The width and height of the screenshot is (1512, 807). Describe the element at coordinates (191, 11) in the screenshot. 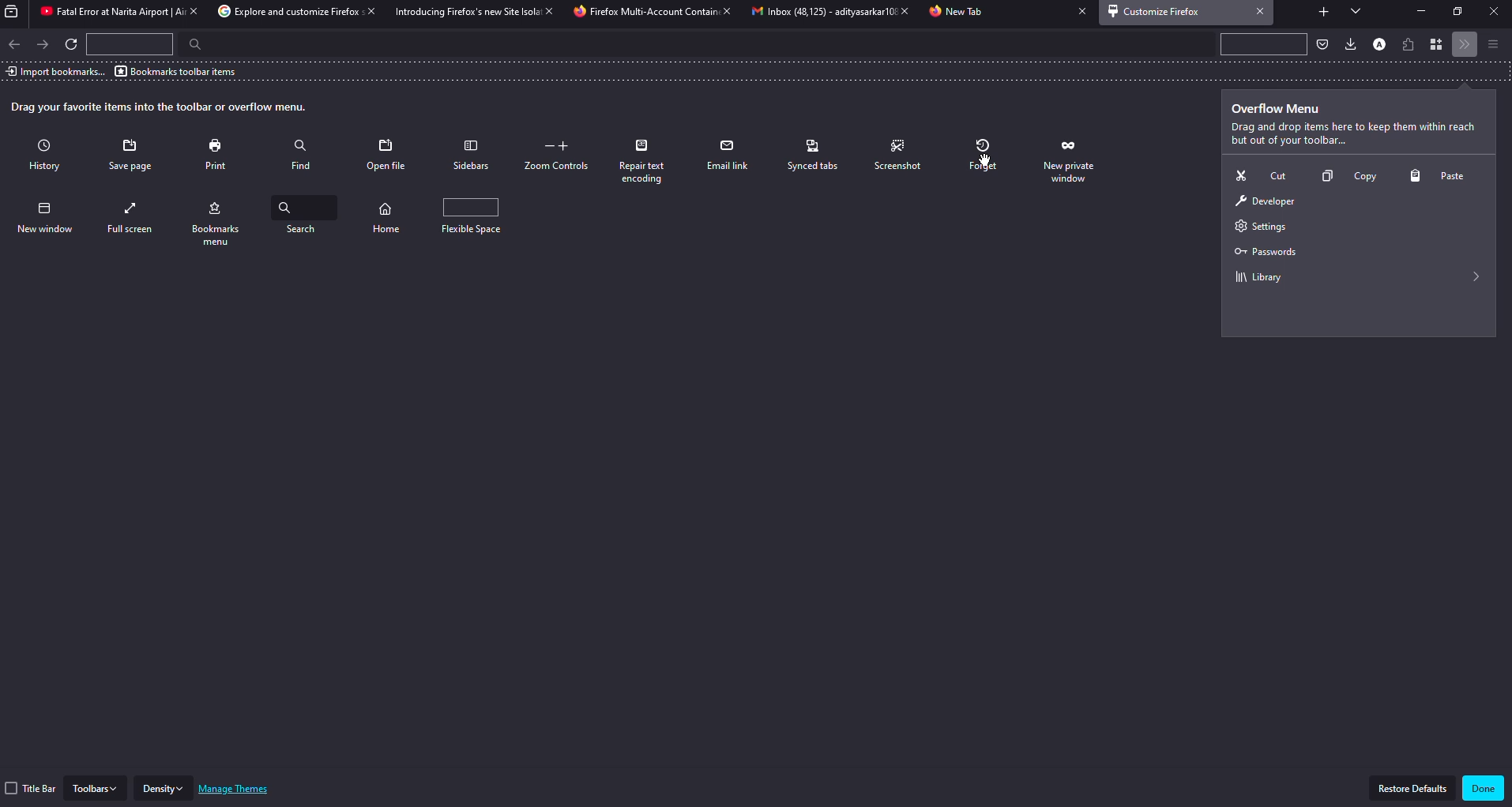

I see `close` at that location.